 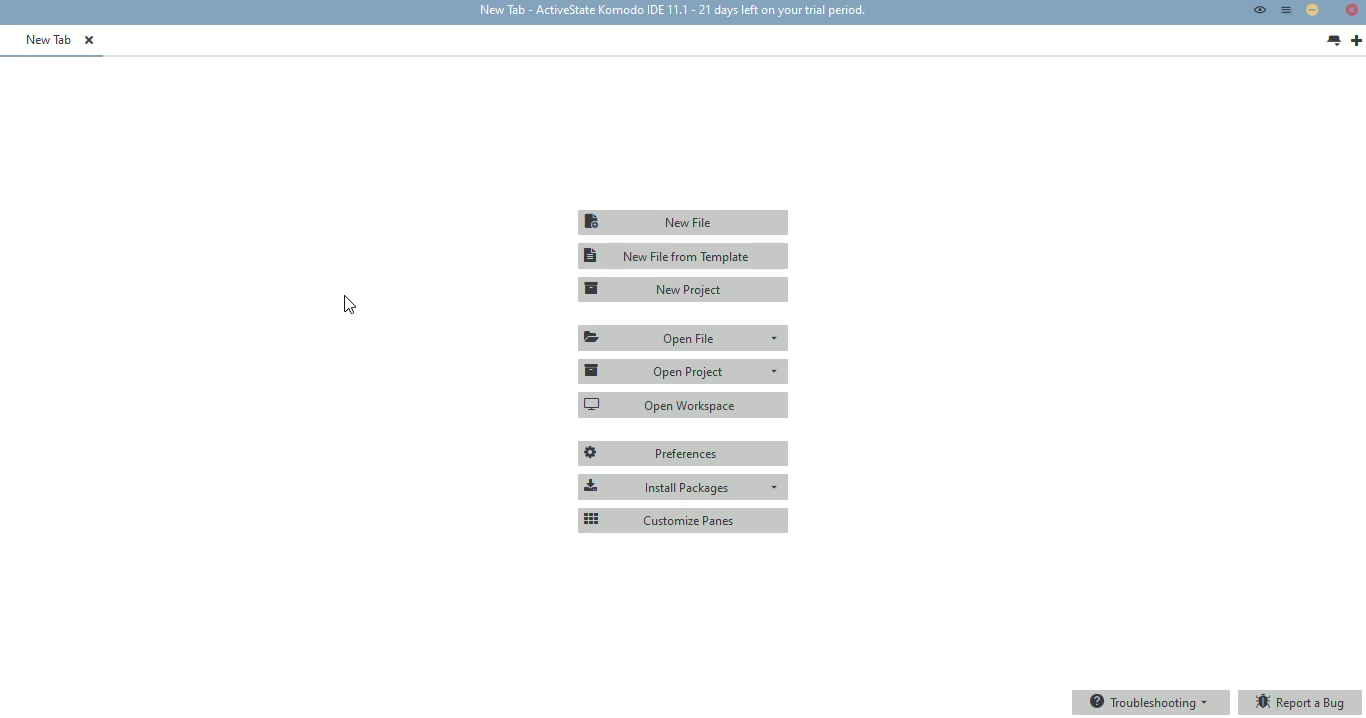 What do you see at coordinates (1152, 703) in the screenshot?
I see `troubleshooting` at bounding box center [1152, 703].